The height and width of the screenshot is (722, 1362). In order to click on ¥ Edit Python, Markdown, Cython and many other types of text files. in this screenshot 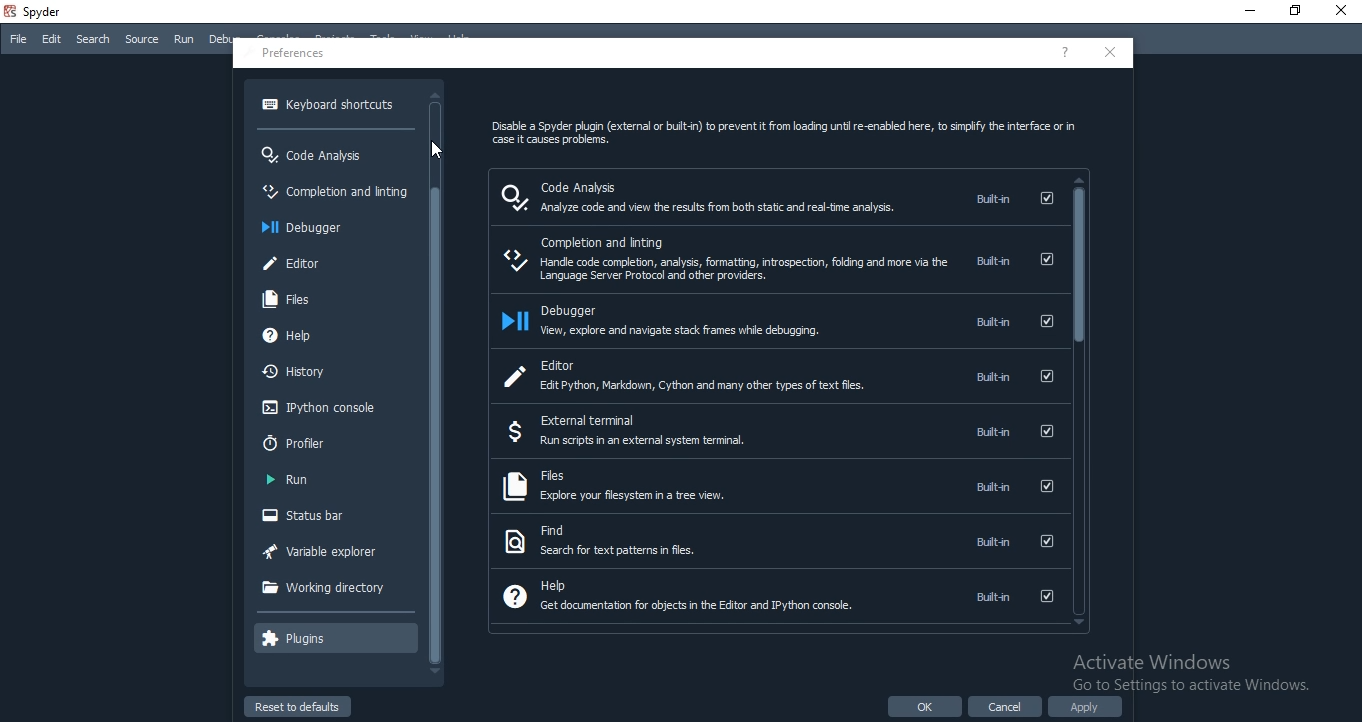, I will do `click(693, 386)`.